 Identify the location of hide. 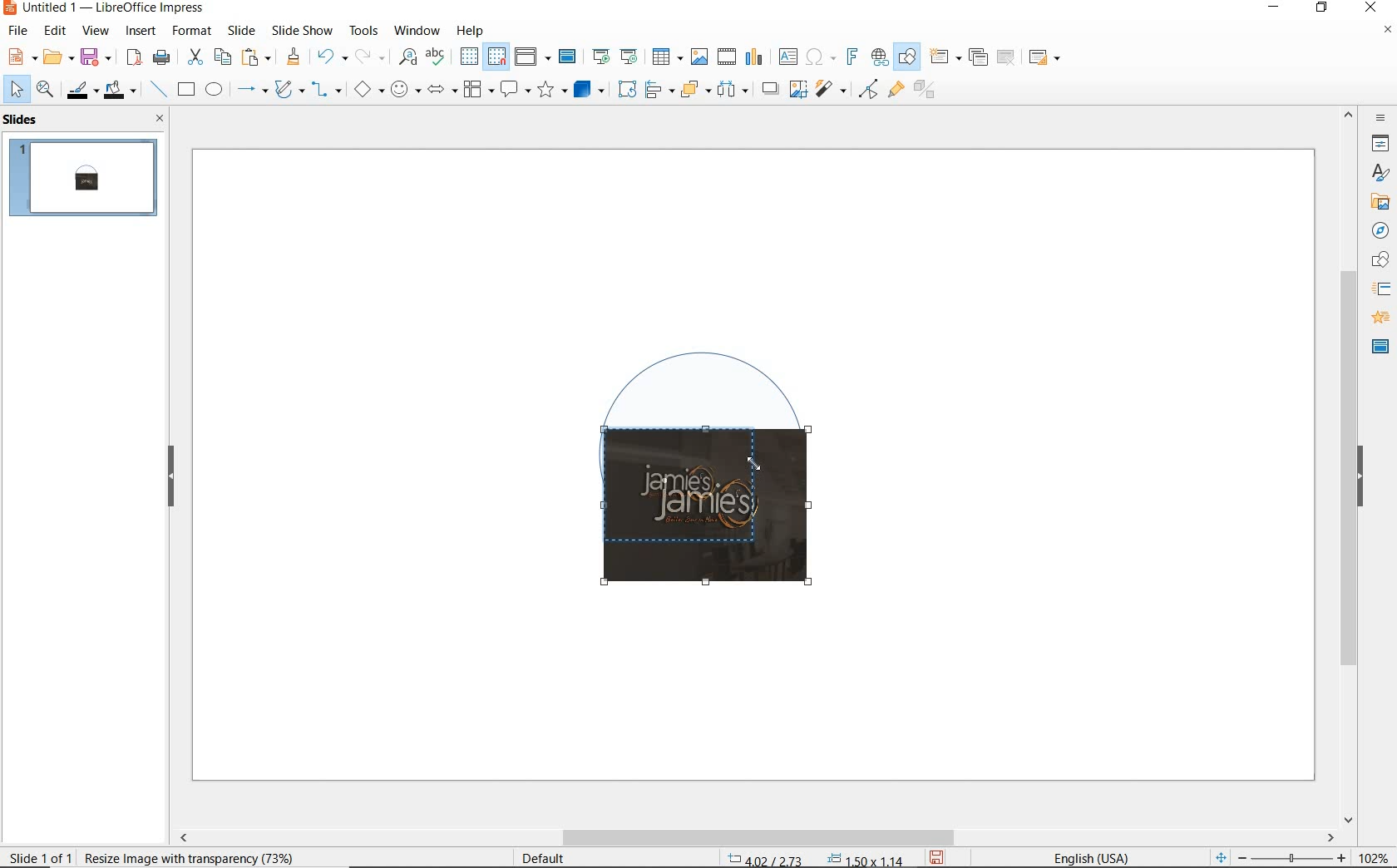
(1360, 478).